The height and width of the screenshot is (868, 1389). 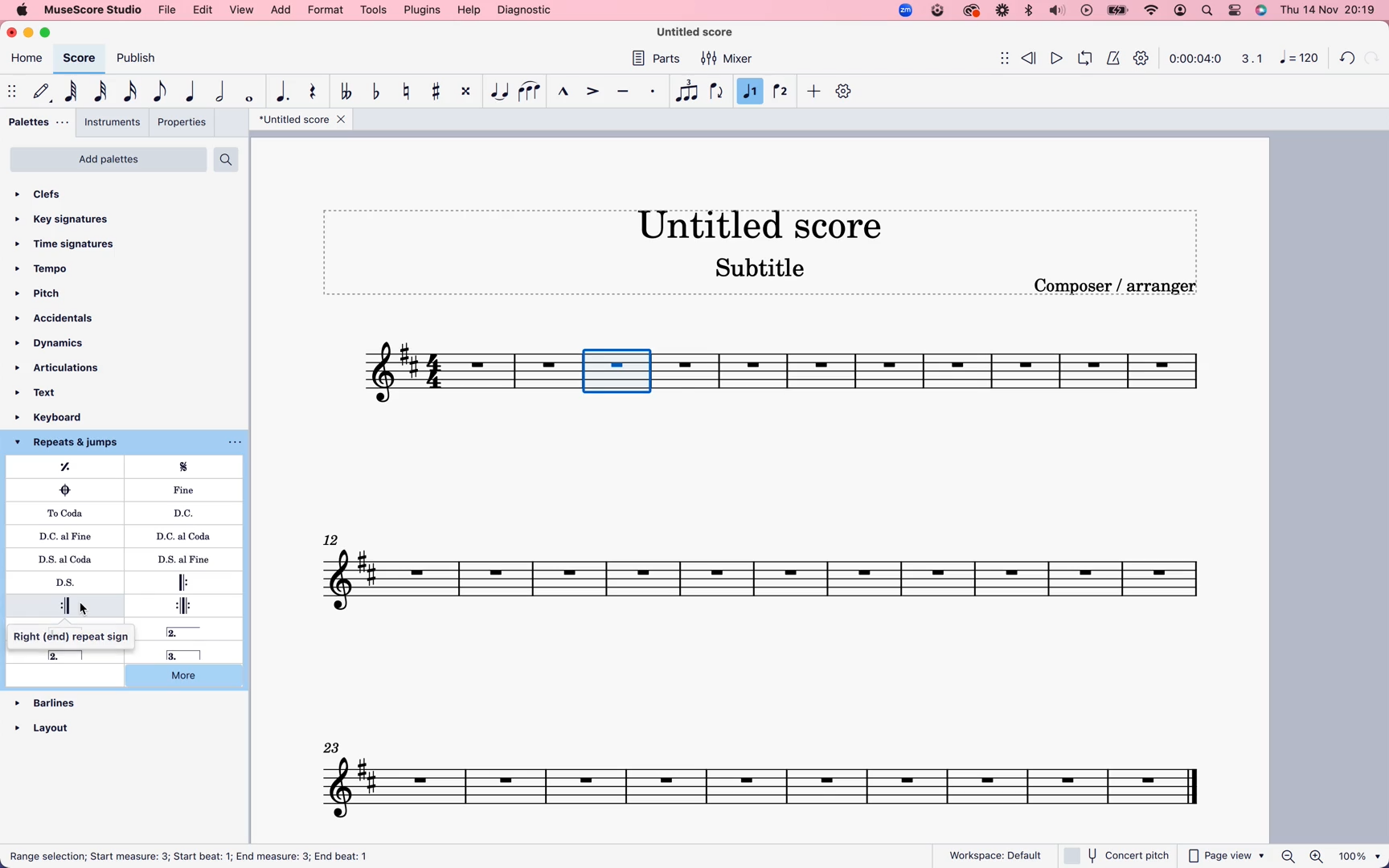 I want to click on page view, so click(x=1227, y=856).